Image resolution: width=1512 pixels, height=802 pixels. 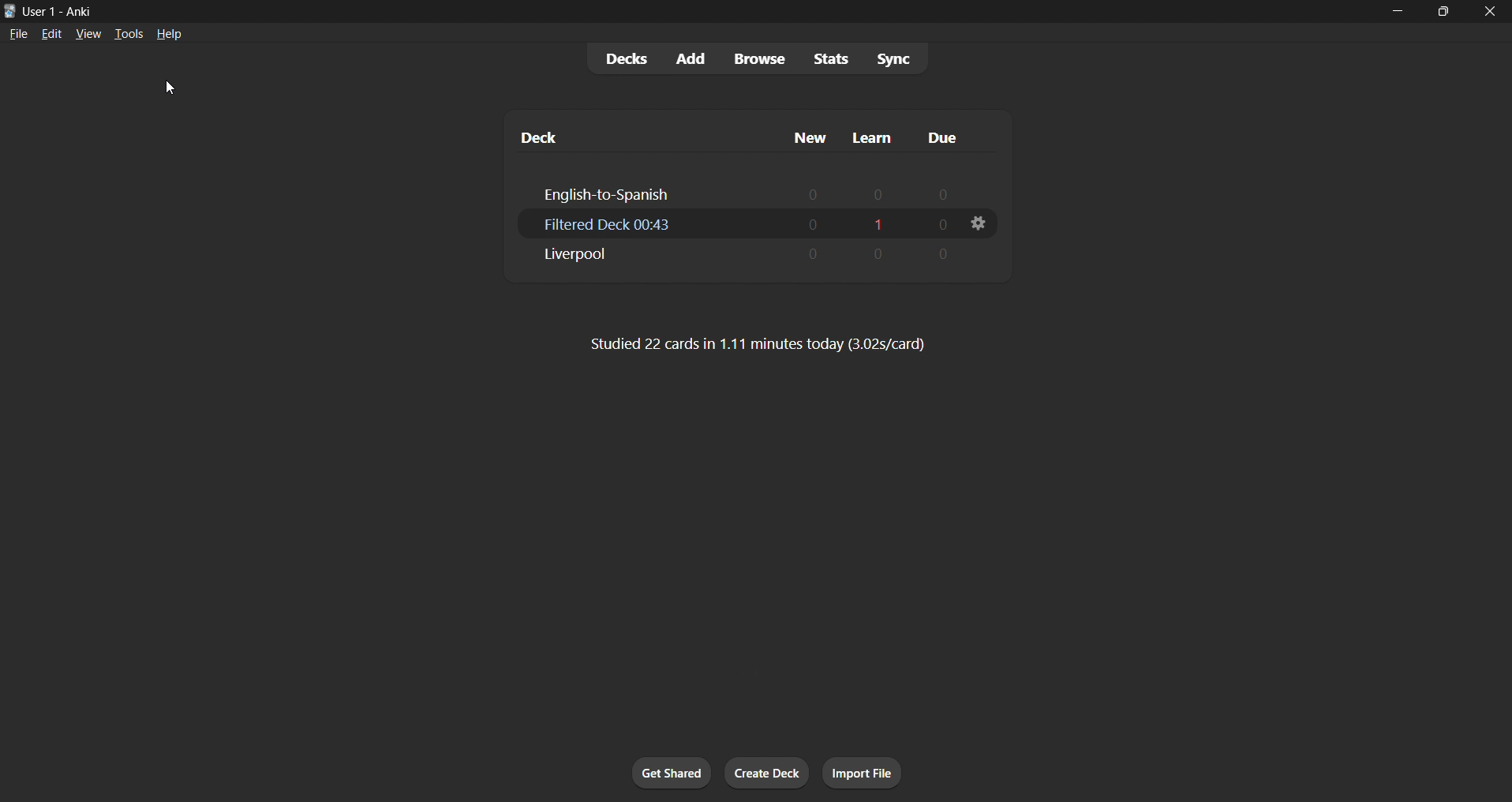 What do you see at coordinates (939, 222) in the screenshot?
I see `0` at bounding box center [939, 222].